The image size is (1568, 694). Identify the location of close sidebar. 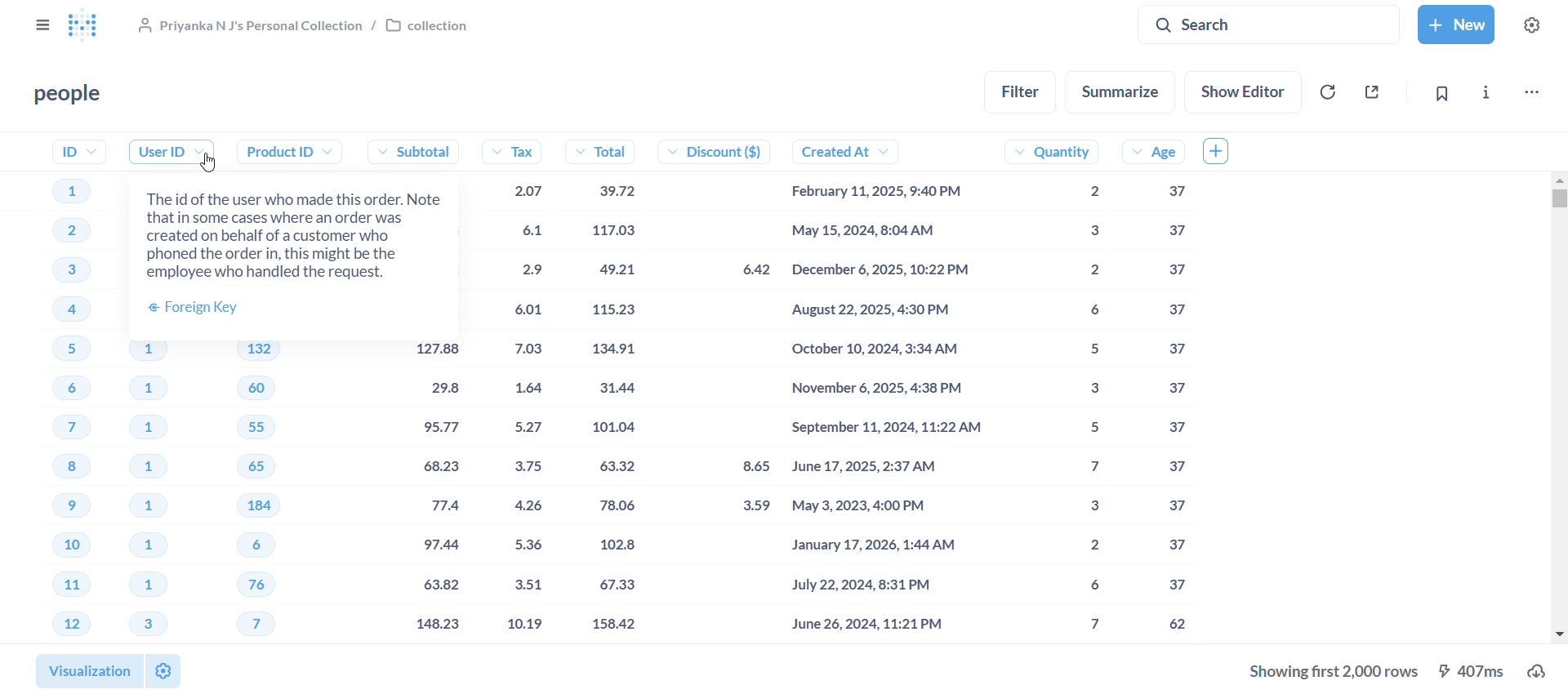
(41, 24).